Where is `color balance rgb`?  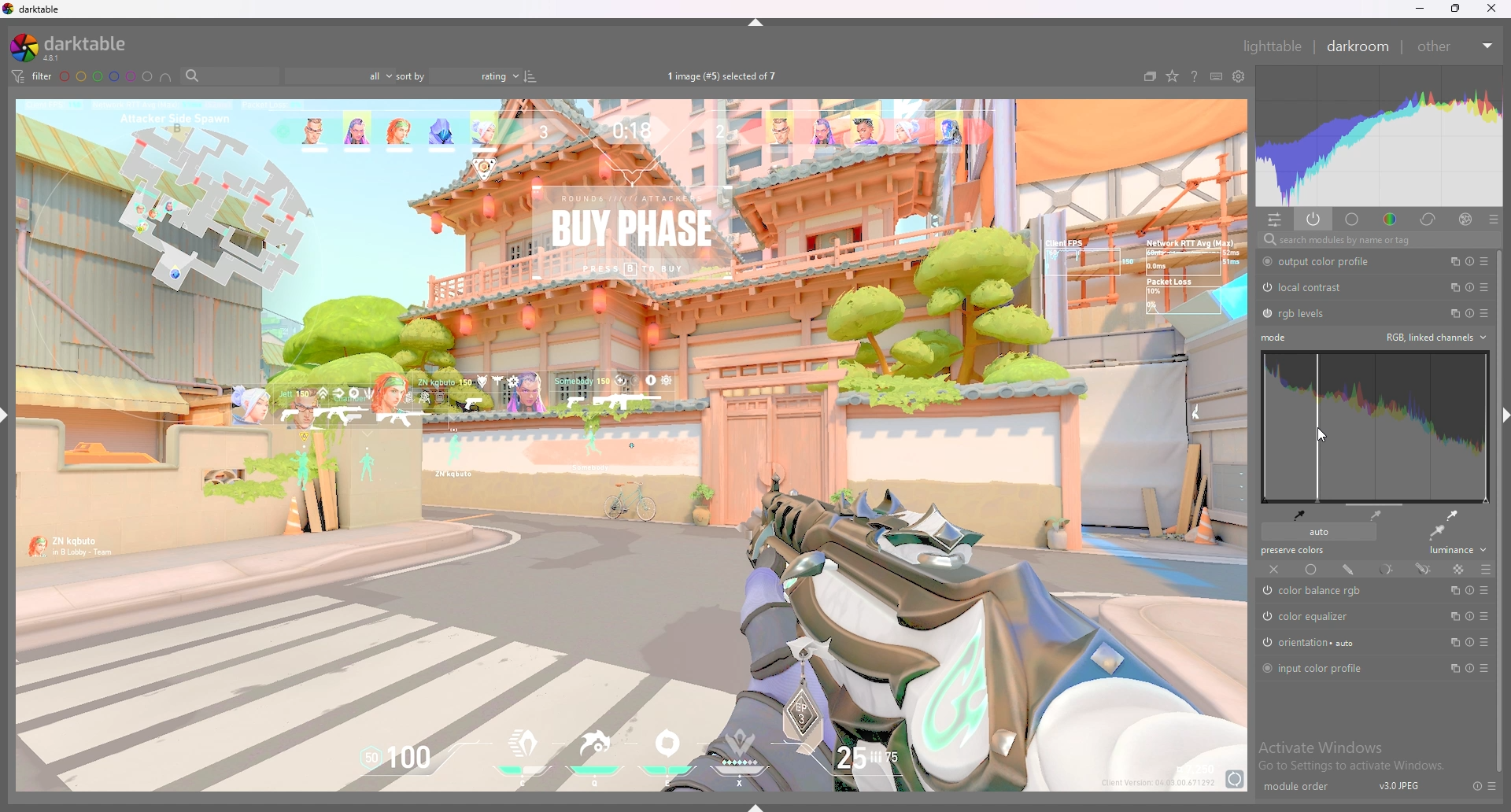 color balance rgb is located at coordinates (1330, 592).